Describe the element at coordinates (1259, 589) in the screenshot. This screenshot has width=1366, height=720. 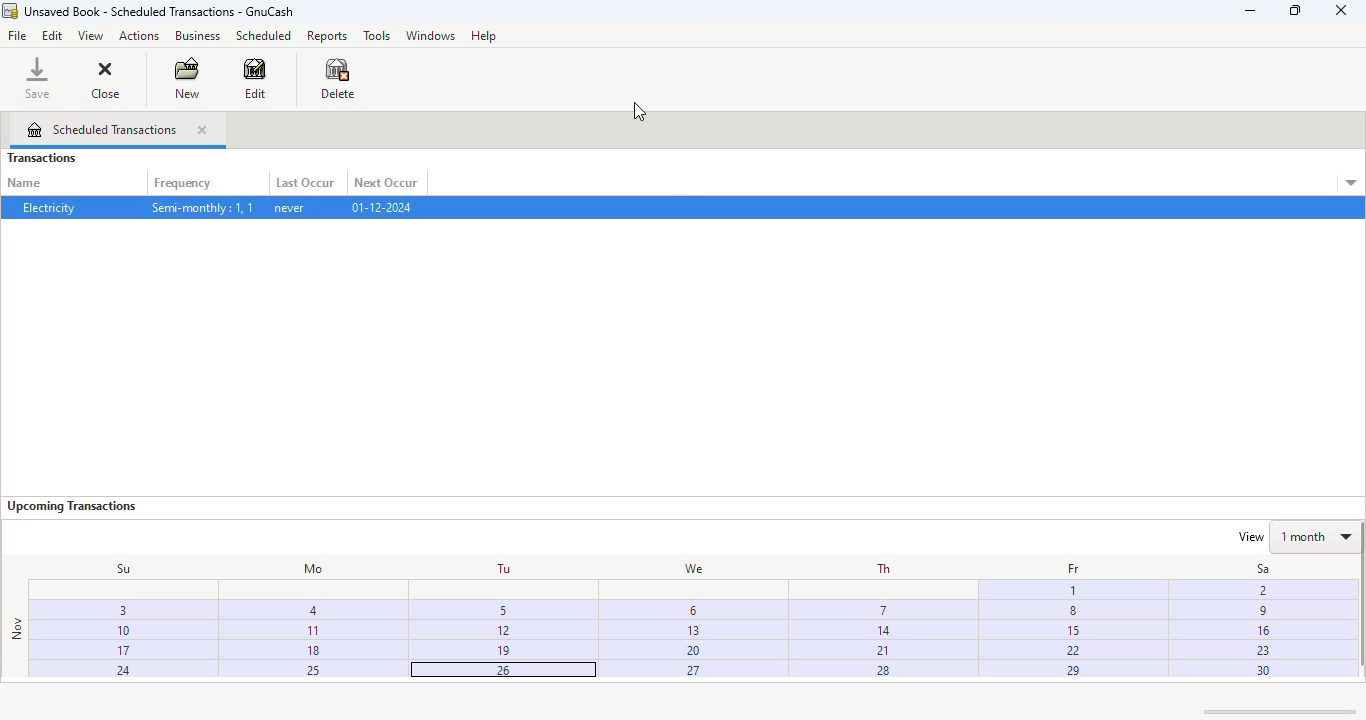
I see `Fi` at that location.